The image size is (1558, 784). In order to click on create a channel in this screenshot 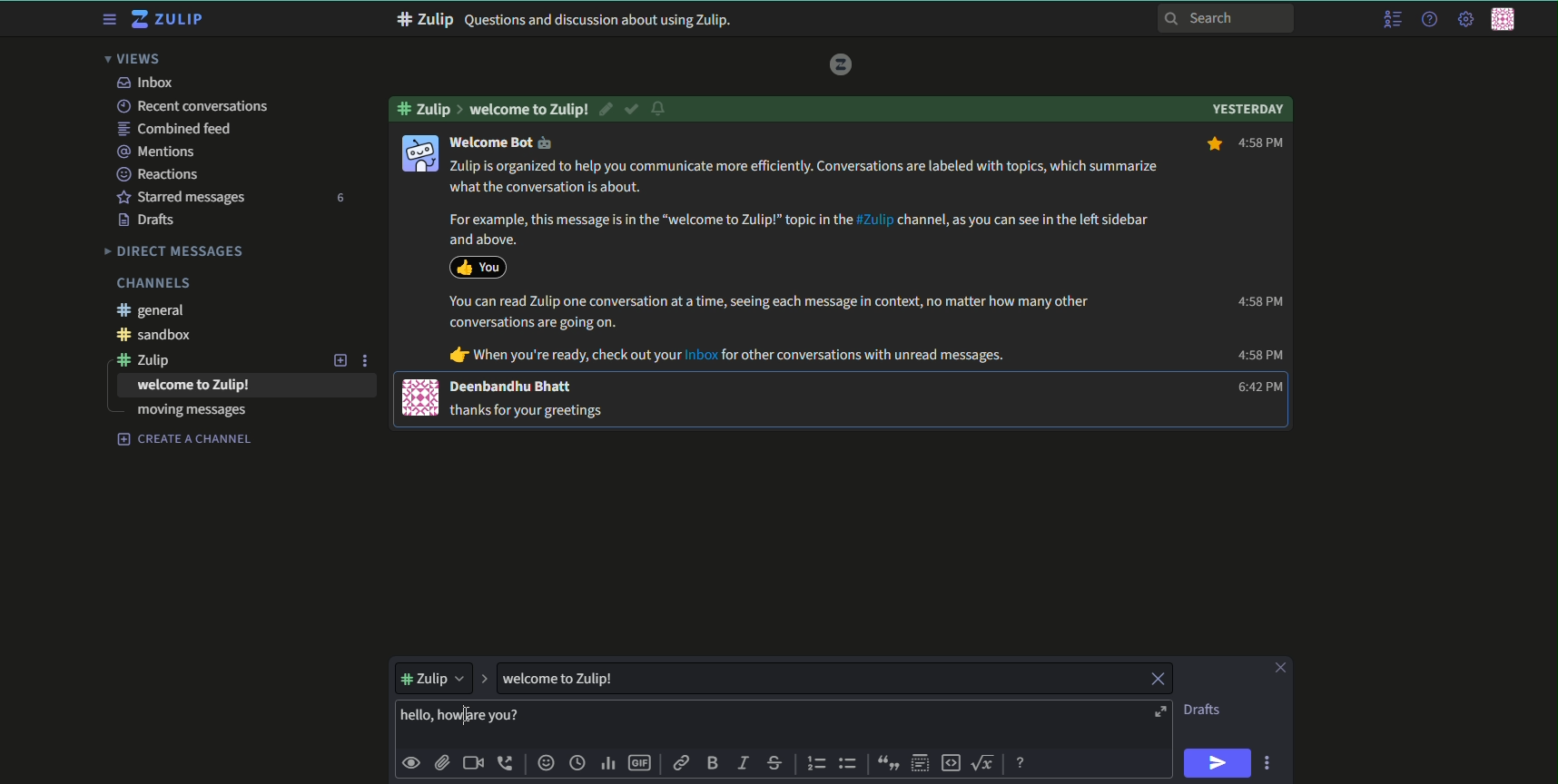, I will do `click(185, 439)`.